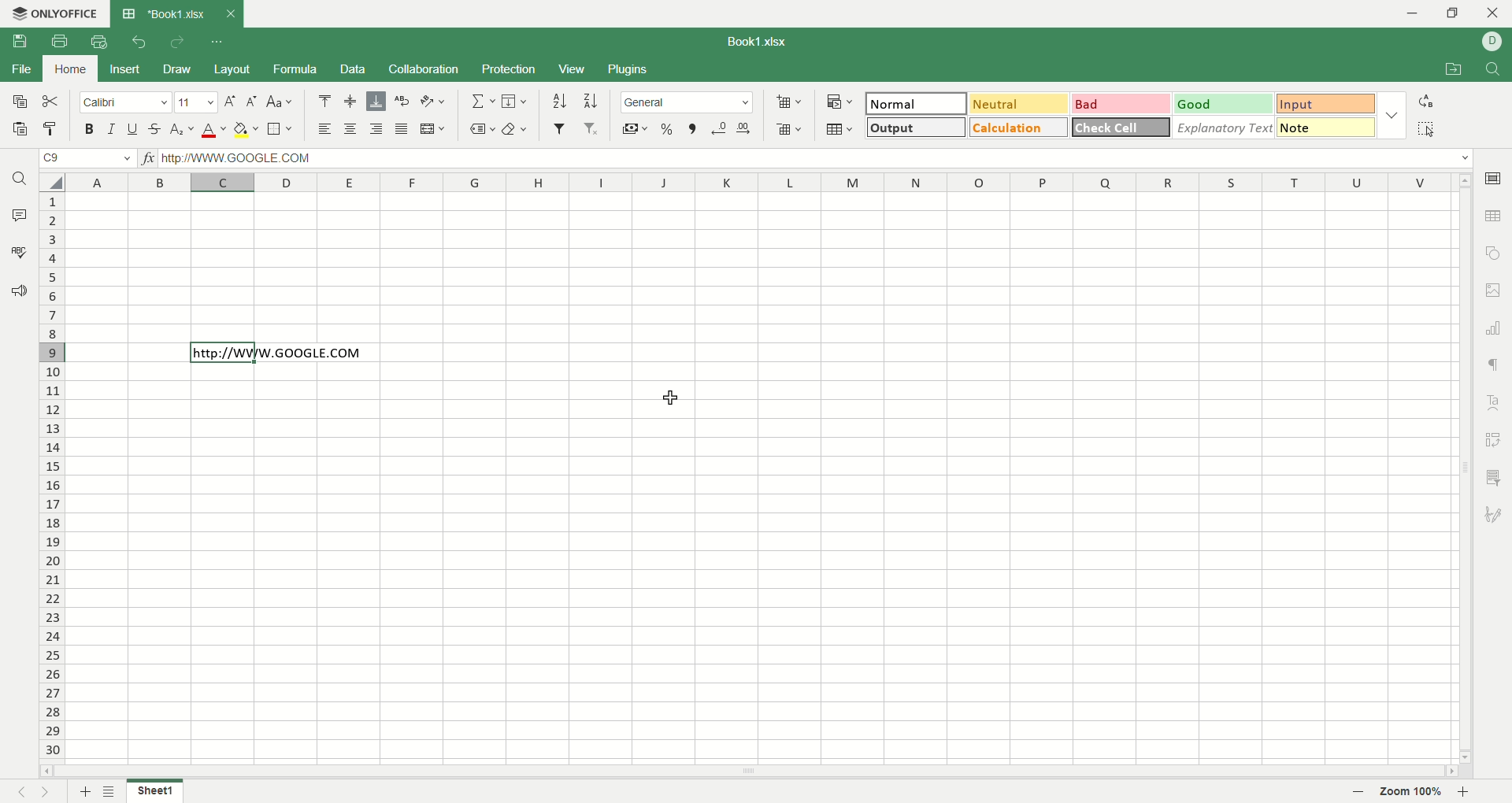 This screenshot has height=803, width=1512. I want to click on good, so click(1222, 103).